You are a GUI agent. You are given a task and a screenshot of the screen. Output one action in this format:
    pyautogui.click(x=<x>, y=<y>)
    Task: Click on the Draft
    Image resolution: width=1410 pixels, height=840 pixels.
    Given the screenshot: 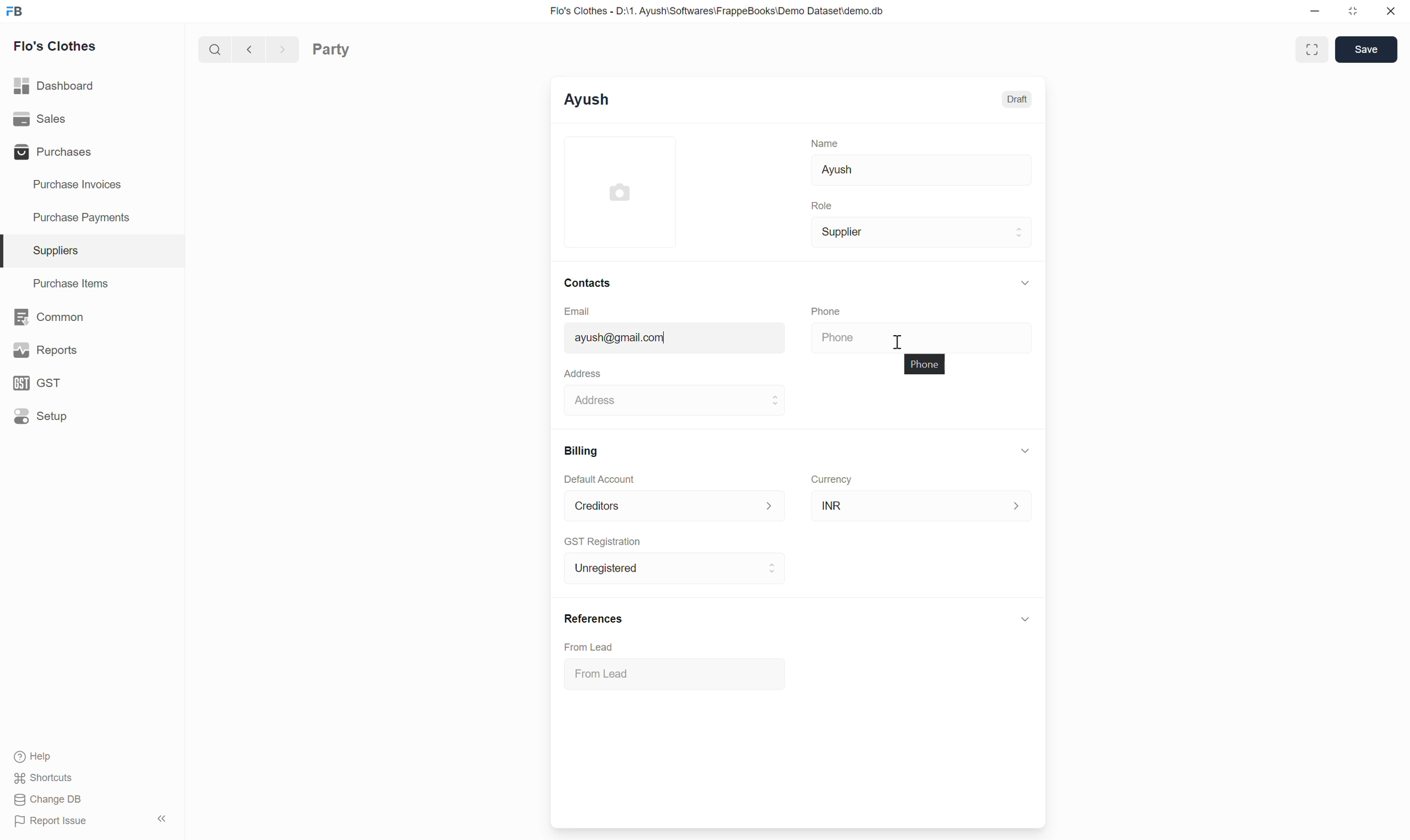 What is the action you would take?
    pyautogui.click(x=1016, y=100)
    